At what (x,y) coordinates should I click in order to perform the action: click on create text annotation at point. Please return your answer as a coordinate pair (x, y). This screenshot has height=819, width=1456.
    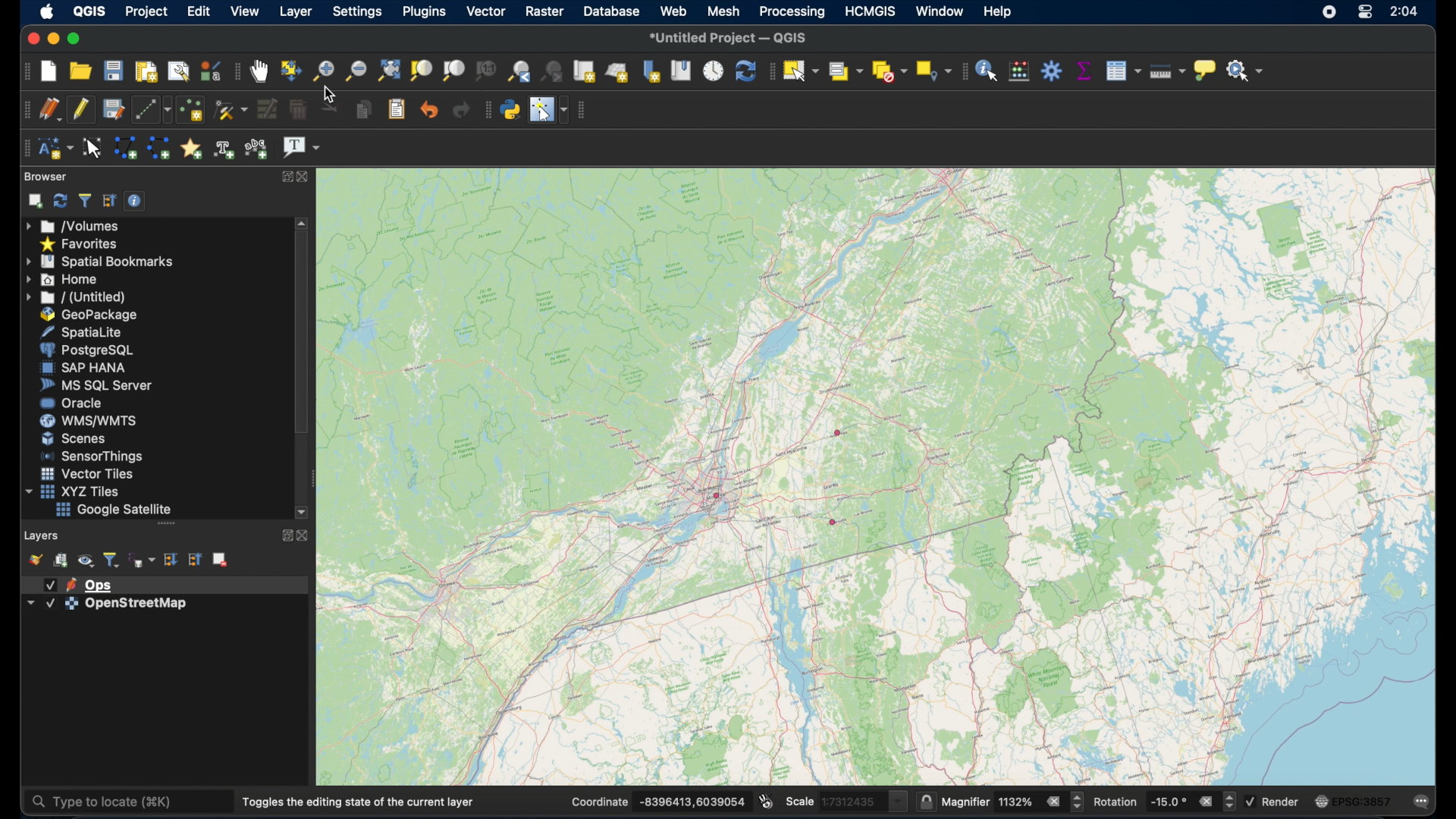
    Looking at the image, I should click on (224, 149).